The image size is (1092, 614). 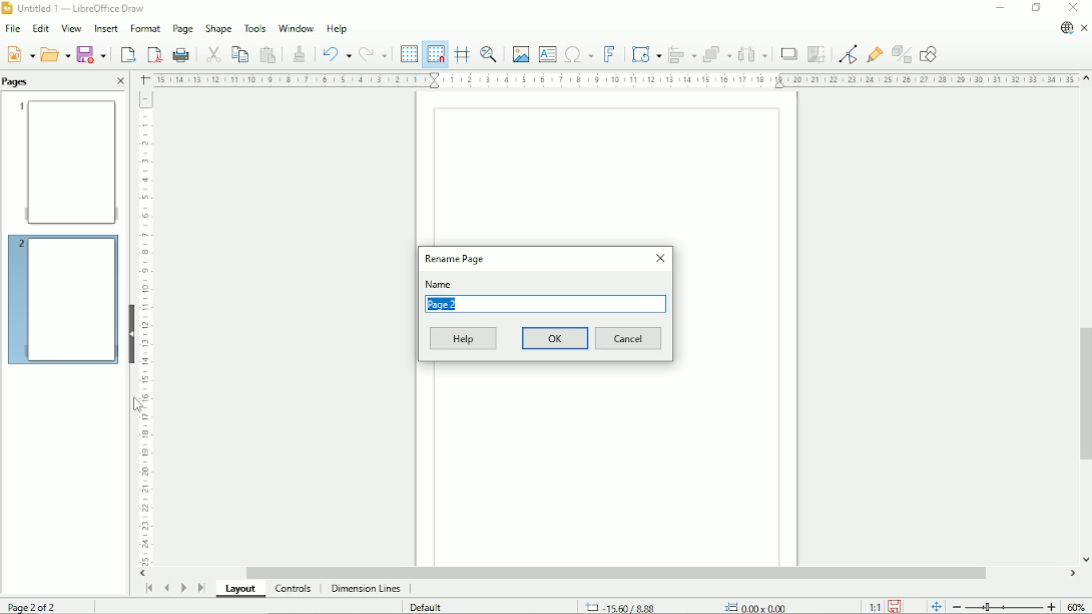 What do you see at coordinates (145, 328) in the screenshot?
I see `Vertical scale` at bounding box center [145, 328].